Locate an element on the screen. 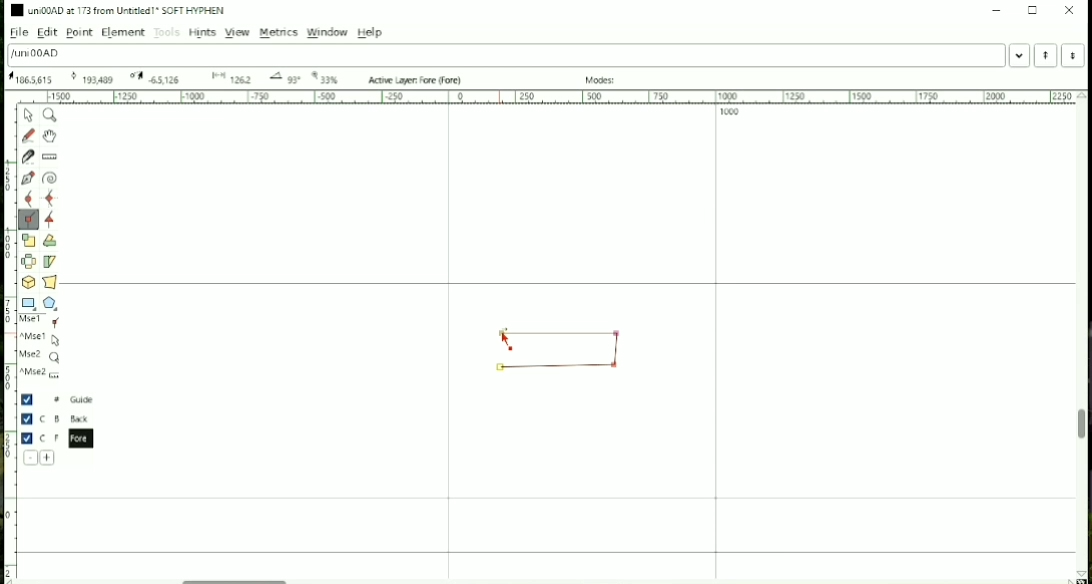 Image resolution: width=1092 pixels, height=584 pixels. 173 Oxad U+00AD "uni00AD" SOFT HYPHEN is located at coordinates (156, 77).